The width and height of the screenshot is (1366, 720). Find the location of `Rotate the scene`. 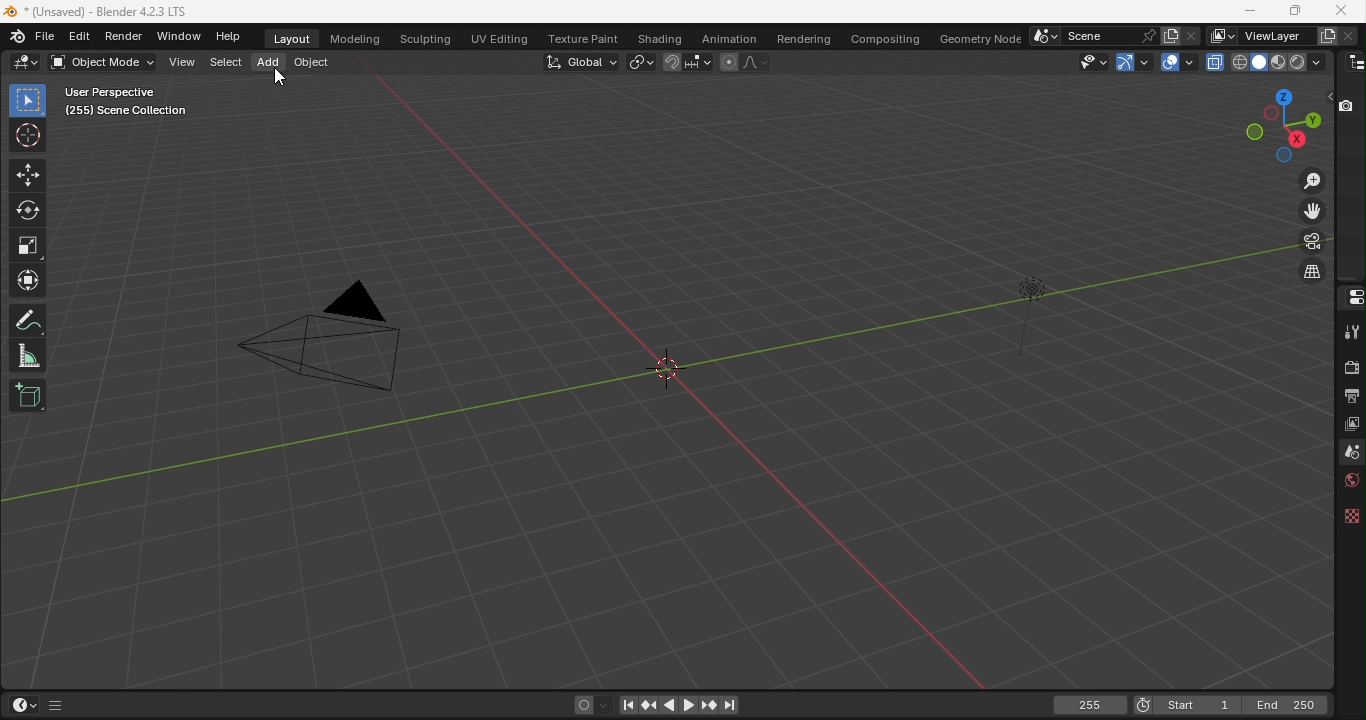

Rotate the scene is located at coordinates (1273, 114).